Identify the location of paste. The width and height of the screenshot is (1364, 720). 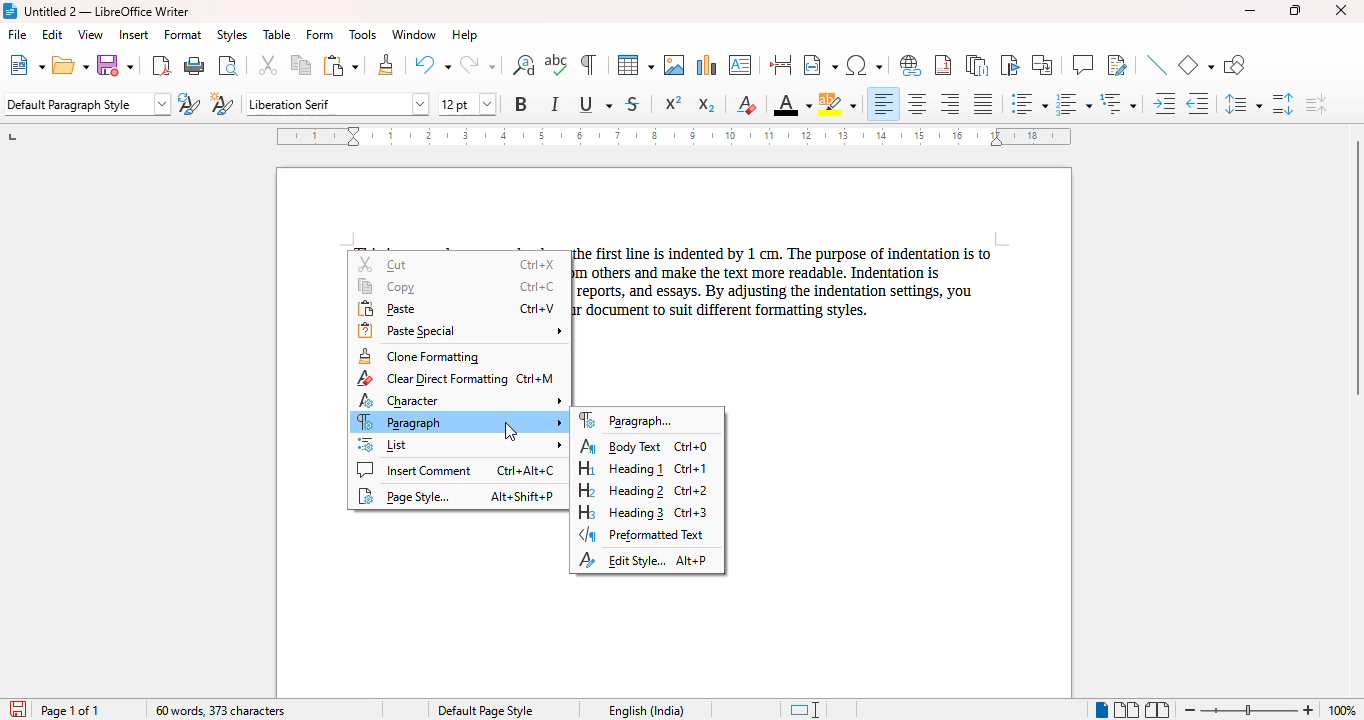
(341, 66).